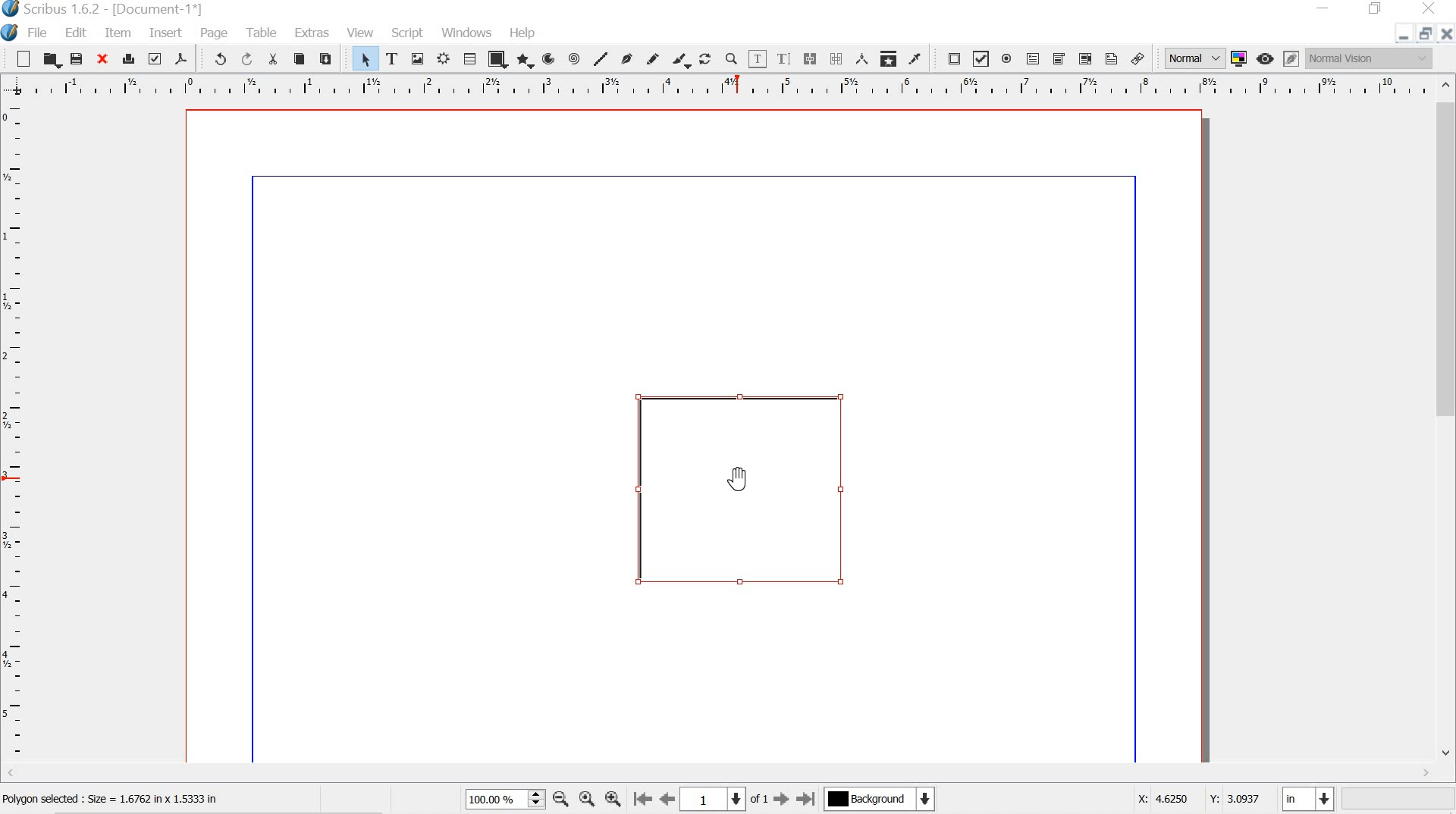  What do you see at coordinates (408, 31) in the screenshot?
I see `SCRIPT` at bounding box center [408, 31].